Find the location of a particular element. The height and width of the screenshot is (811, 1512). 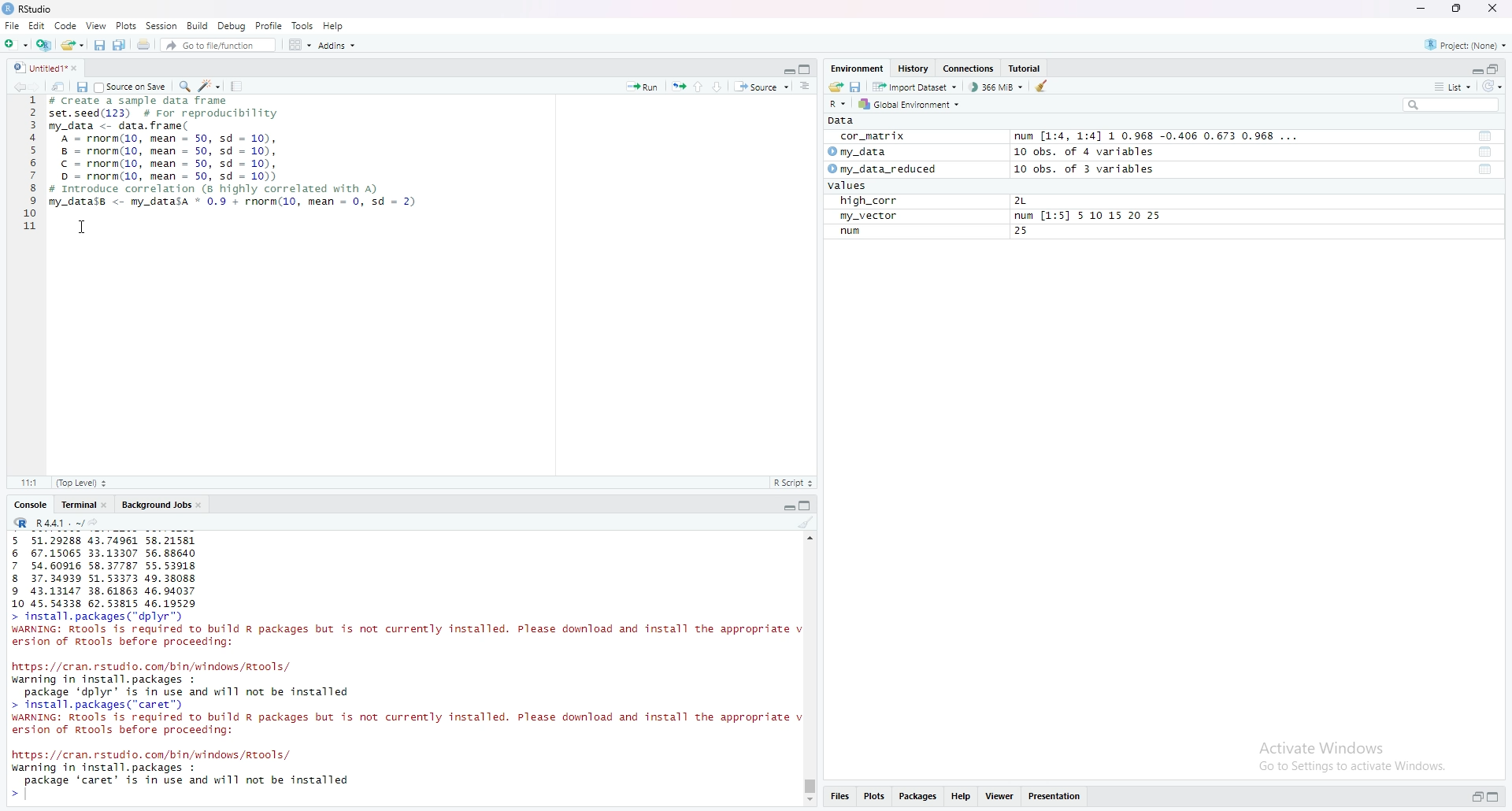

Debug is located at coordinates (233, 26).